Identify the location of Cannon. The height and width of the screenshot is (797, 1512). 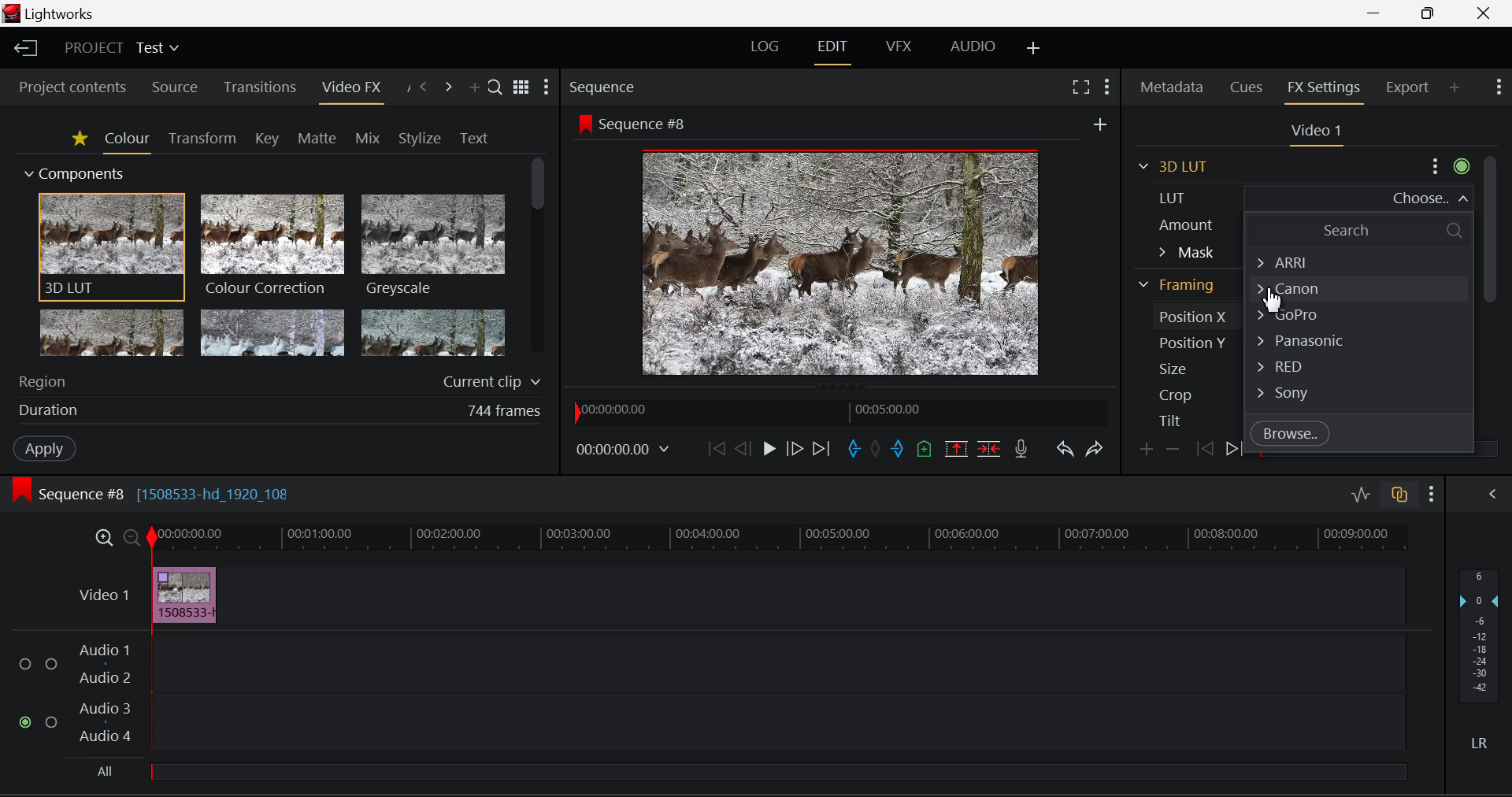
(1347, 288).